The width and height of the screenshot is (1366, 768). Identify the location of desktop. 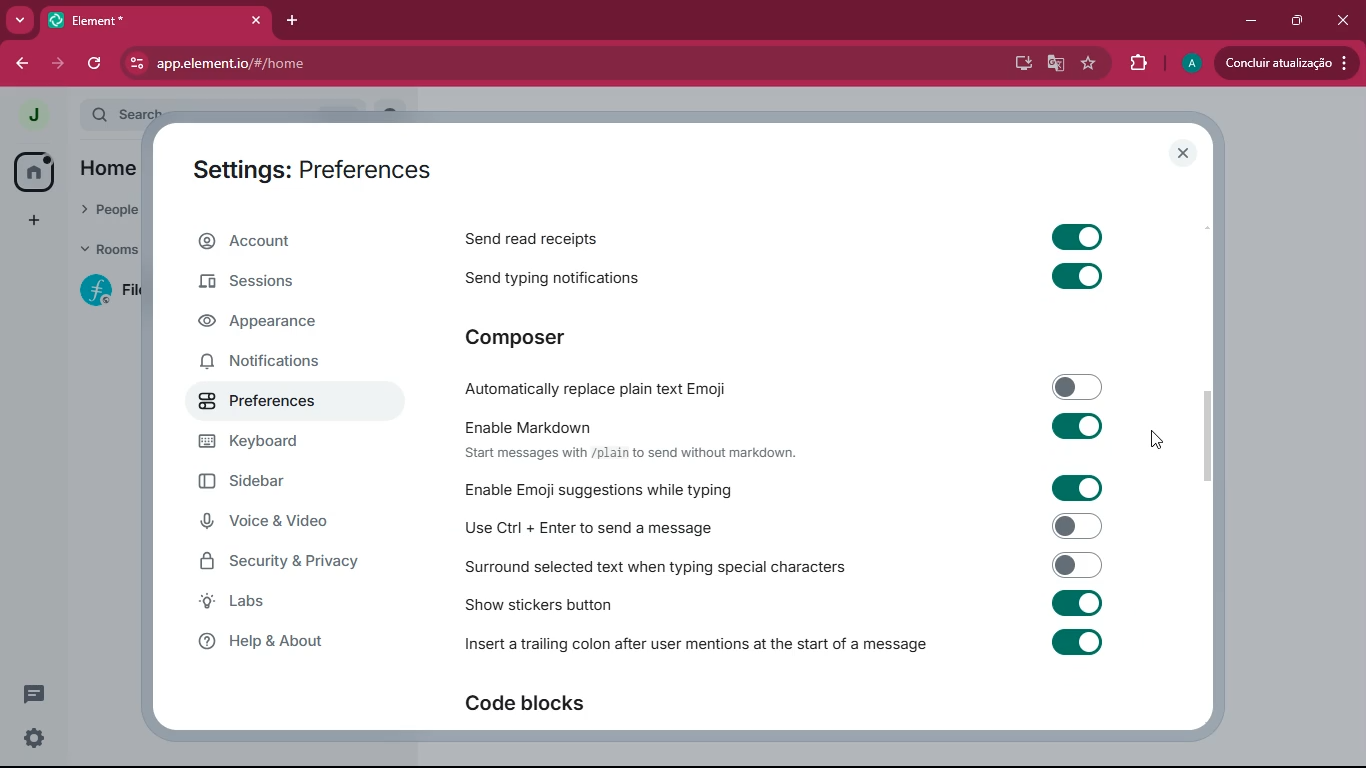
(1015, 63).